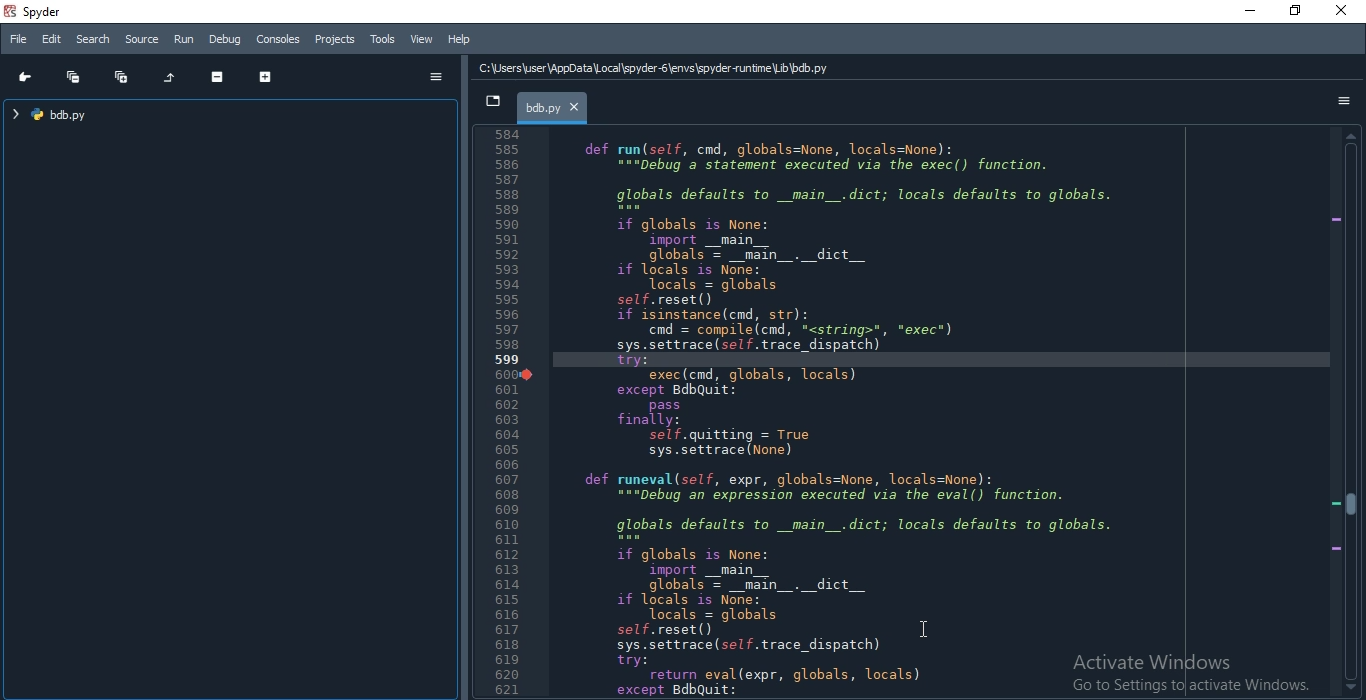  What do you see at coordinates (494, 102) in the screenshot?
I see `dropdown` at bounding box center [494, 102].